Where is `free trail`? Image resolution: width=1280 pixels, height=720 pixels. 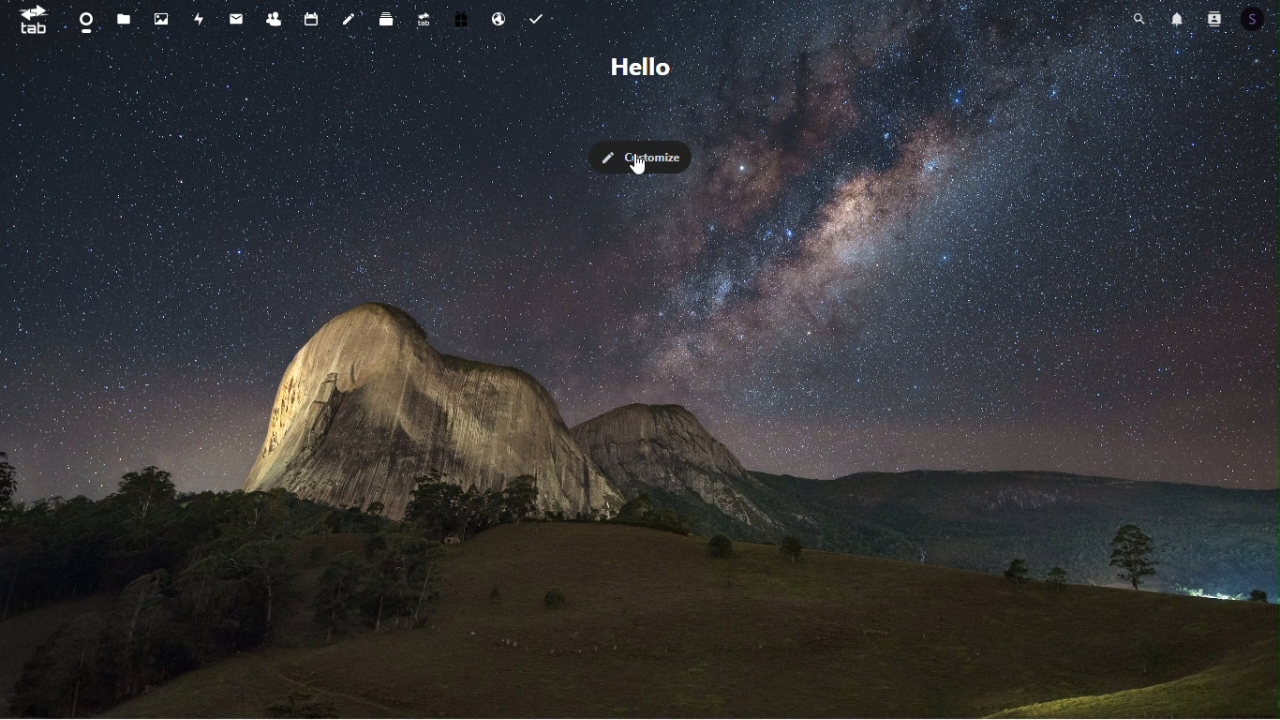 free trail is located at coordinates (461, 22).